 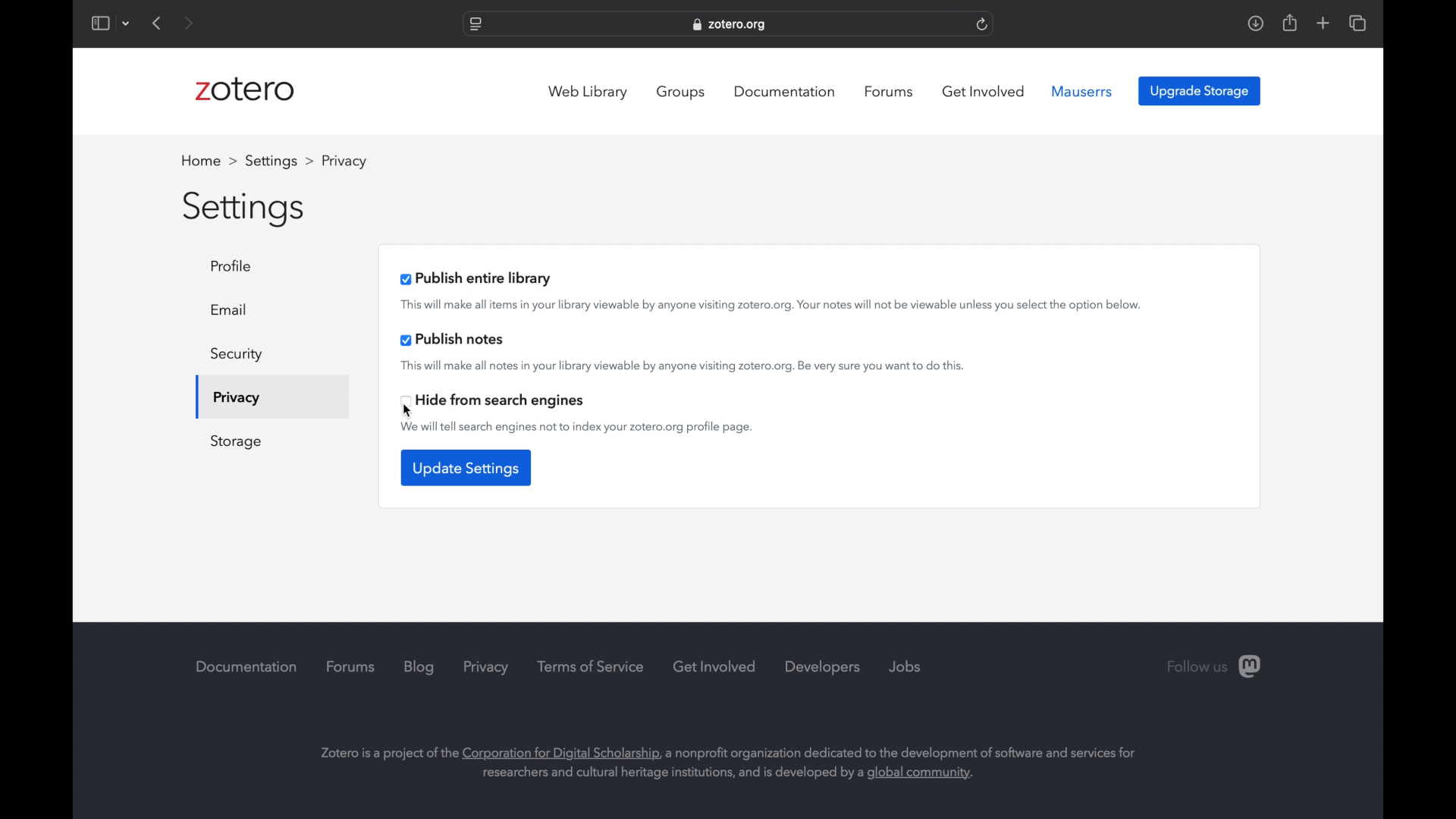 What do you see at coordinates (452, 340) in the screenshot?
I see `publish notes` at bounding box center [452, 340].